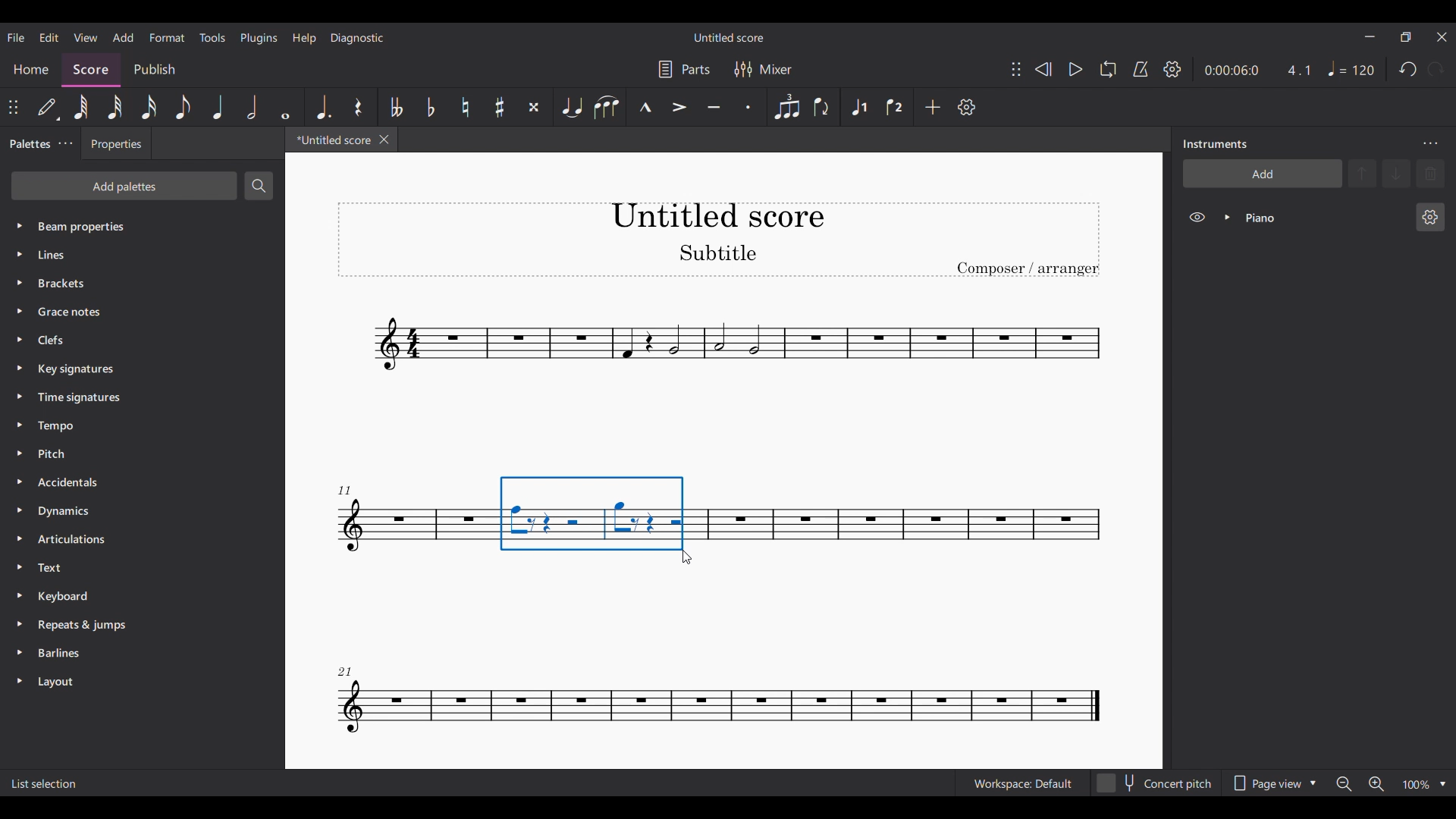 This screenshot has height=819, width=1456. Describe the element at coordinates (141, 309) in the screenshot. I see `Grace notes` at that location.